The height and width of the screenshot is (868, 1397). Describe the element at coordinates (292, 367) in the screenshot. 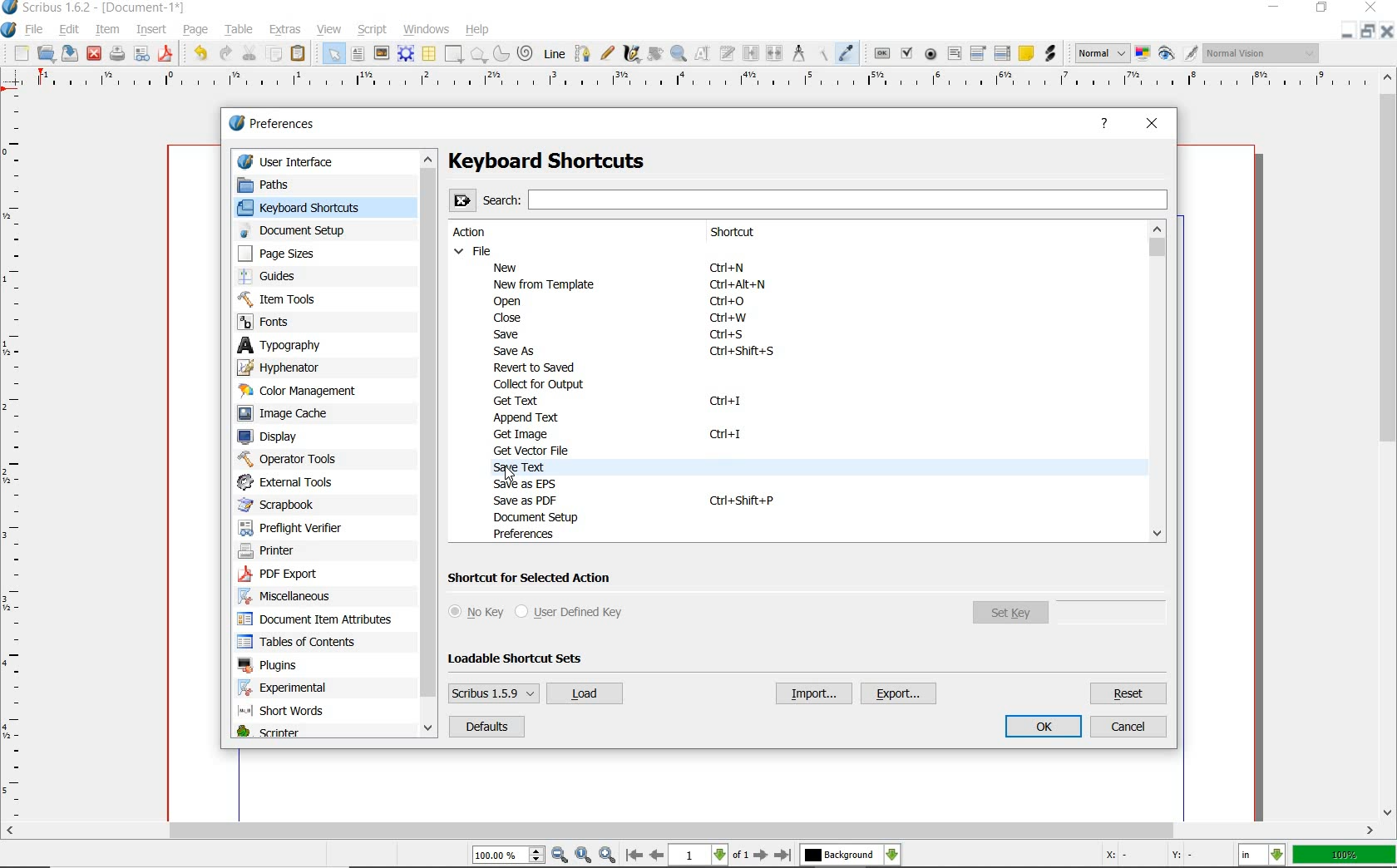

I see `hyphenator` at that location.